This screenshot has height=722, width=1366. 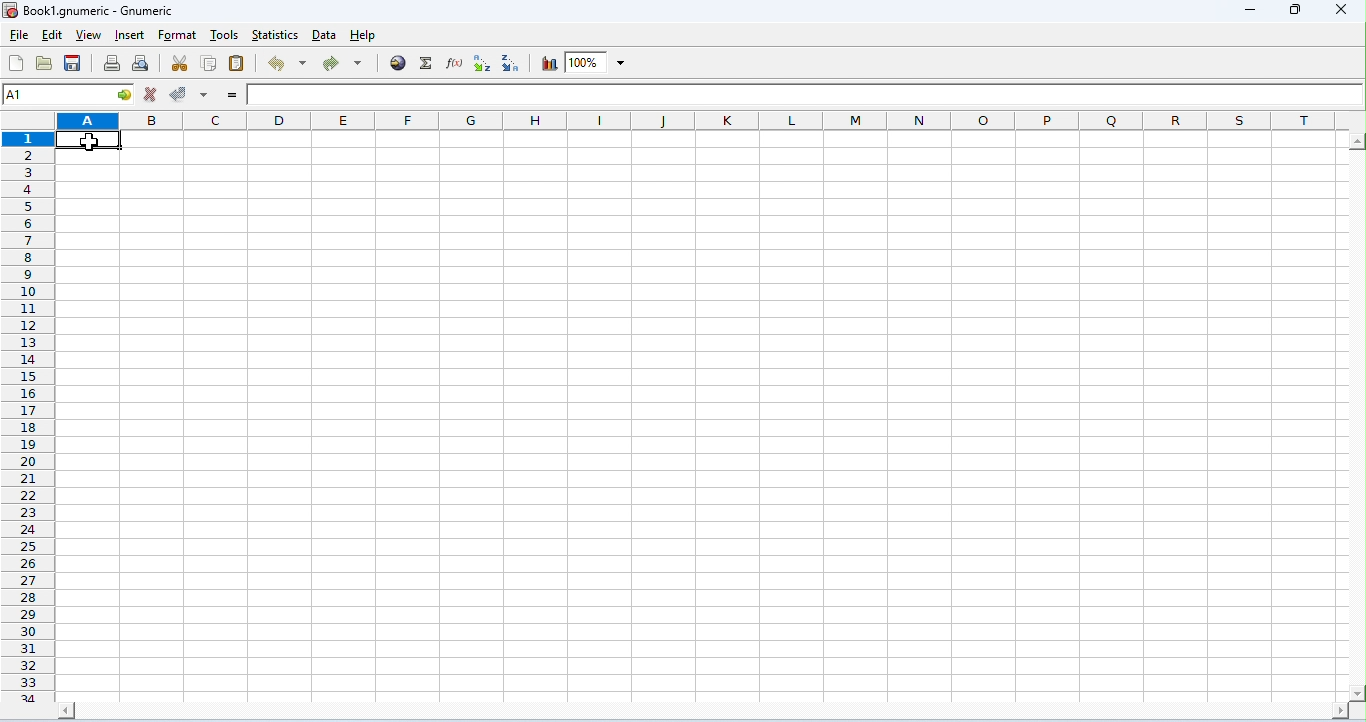 What do you see at coordinates (289, 63) in the screenshot?
I see `undo` at bounding box center [289, 63].